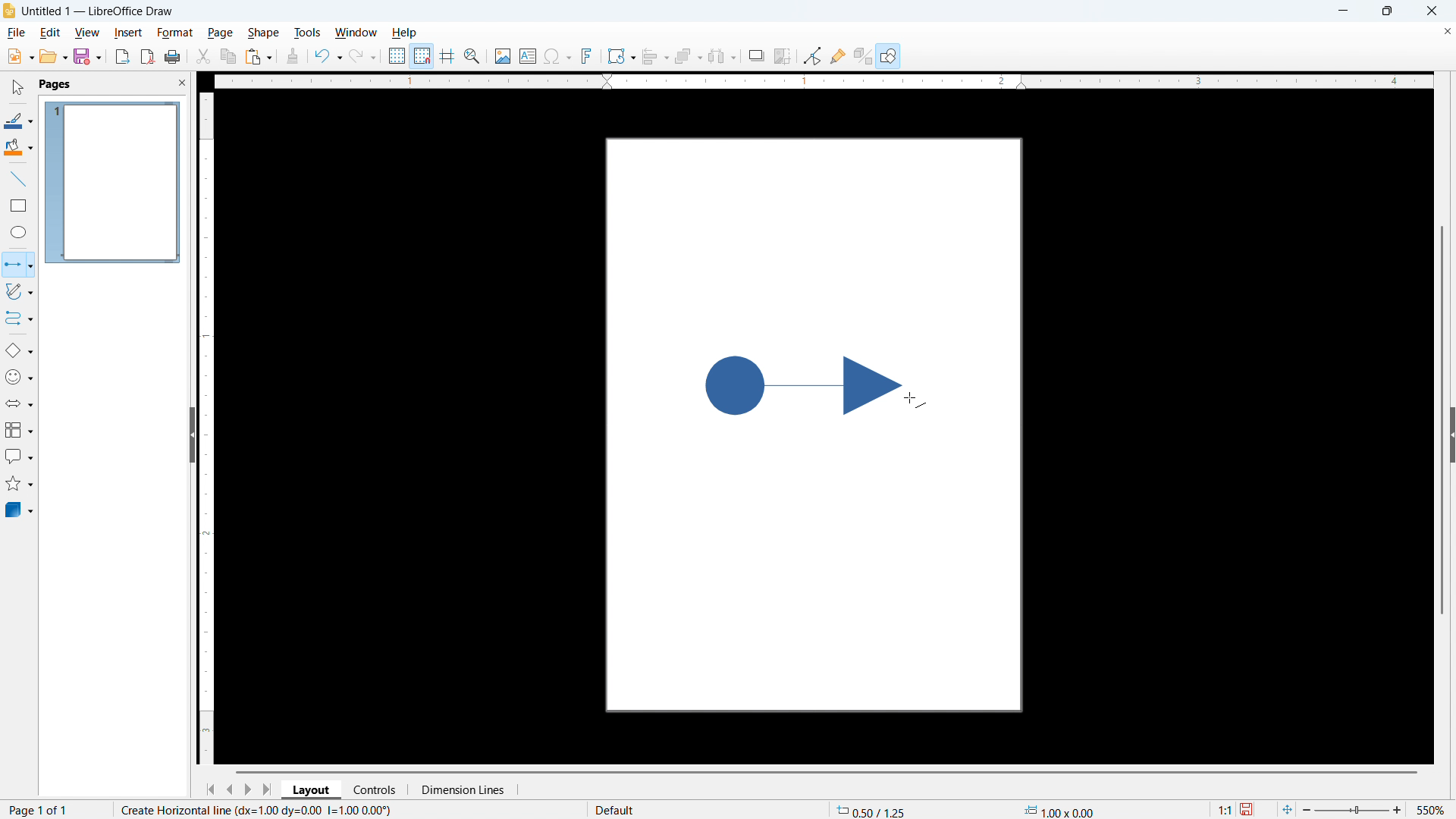 The width and height of the screenshot is (1456, 819). Describe the element at coordinates (587, 55) in the screenshot. I see `Insert font work text ` at that location.